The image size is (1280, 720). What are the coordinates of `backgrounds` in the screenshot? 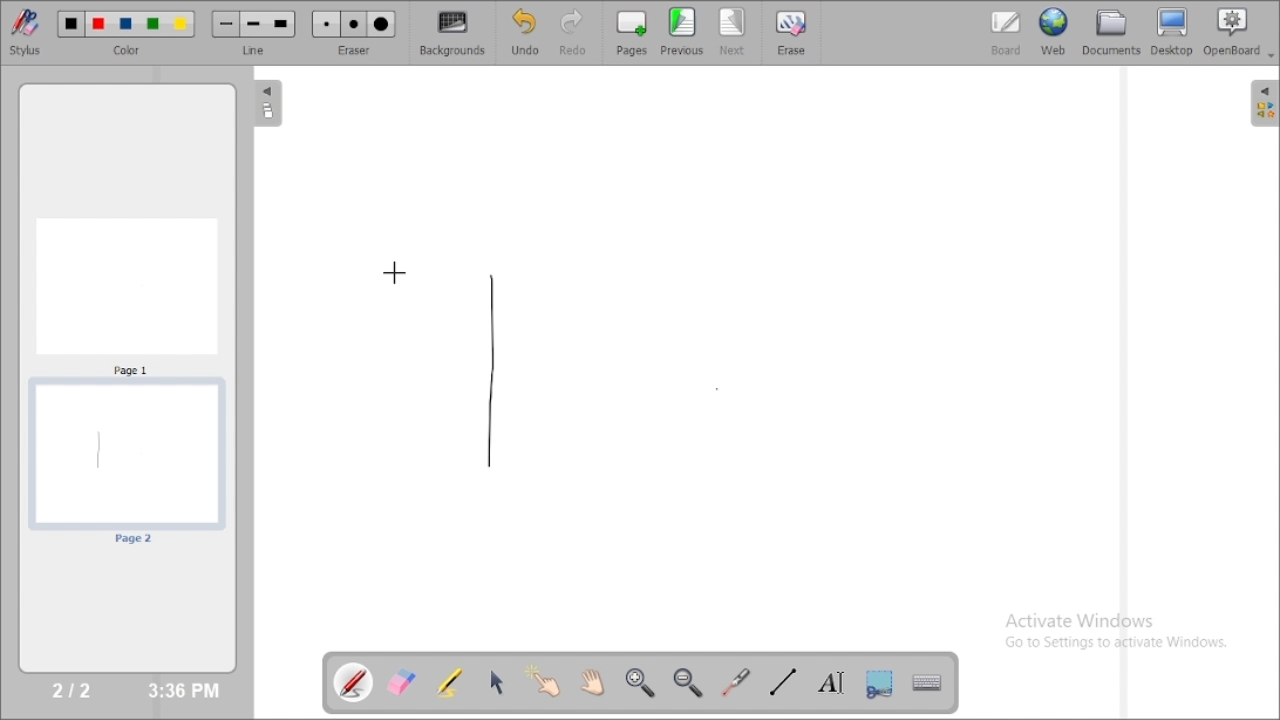 It's located at (454, 33).